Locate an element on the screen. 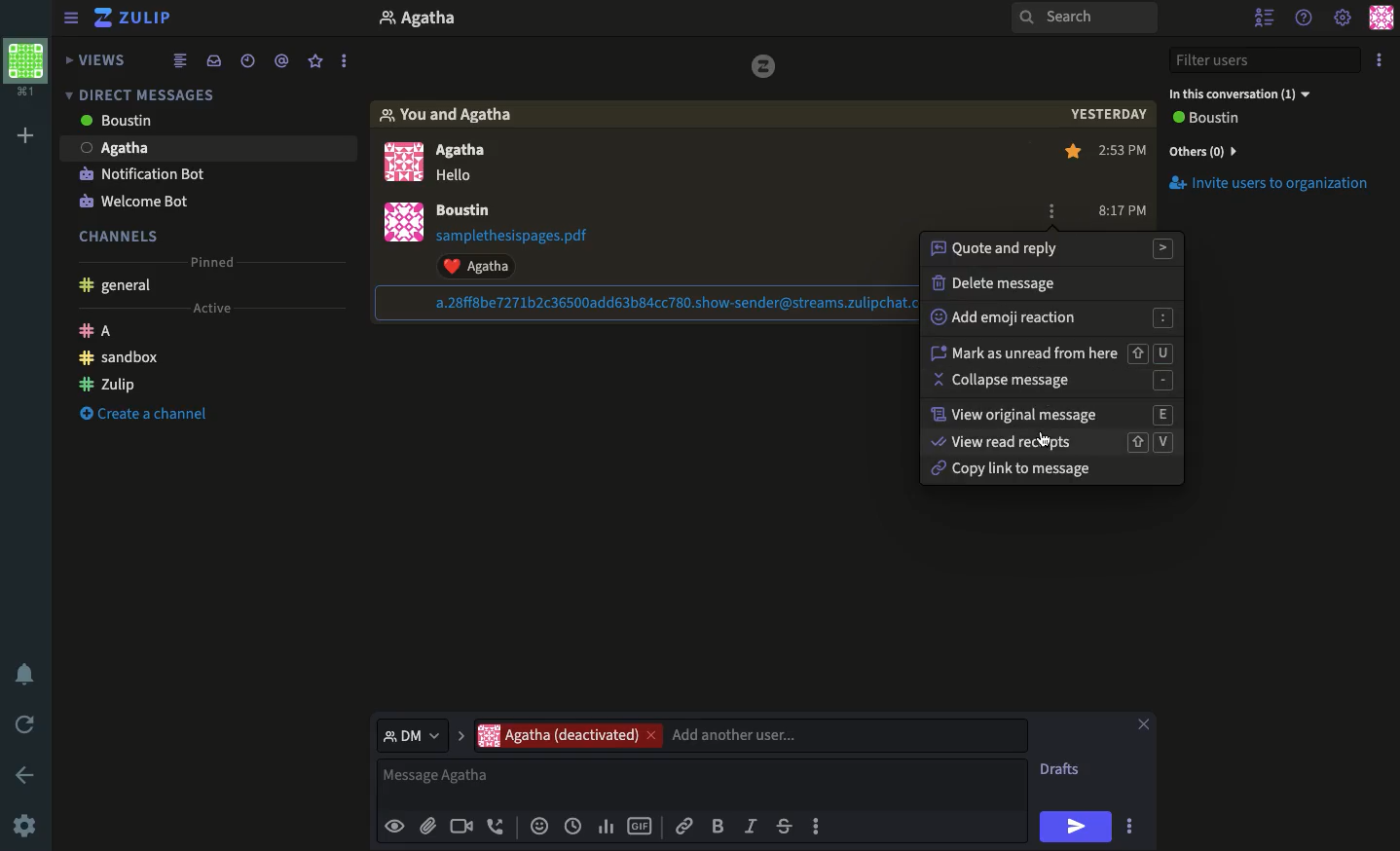 The height and width of the screenshot is (851, 1400). Video is located at coordinates (460, 828).